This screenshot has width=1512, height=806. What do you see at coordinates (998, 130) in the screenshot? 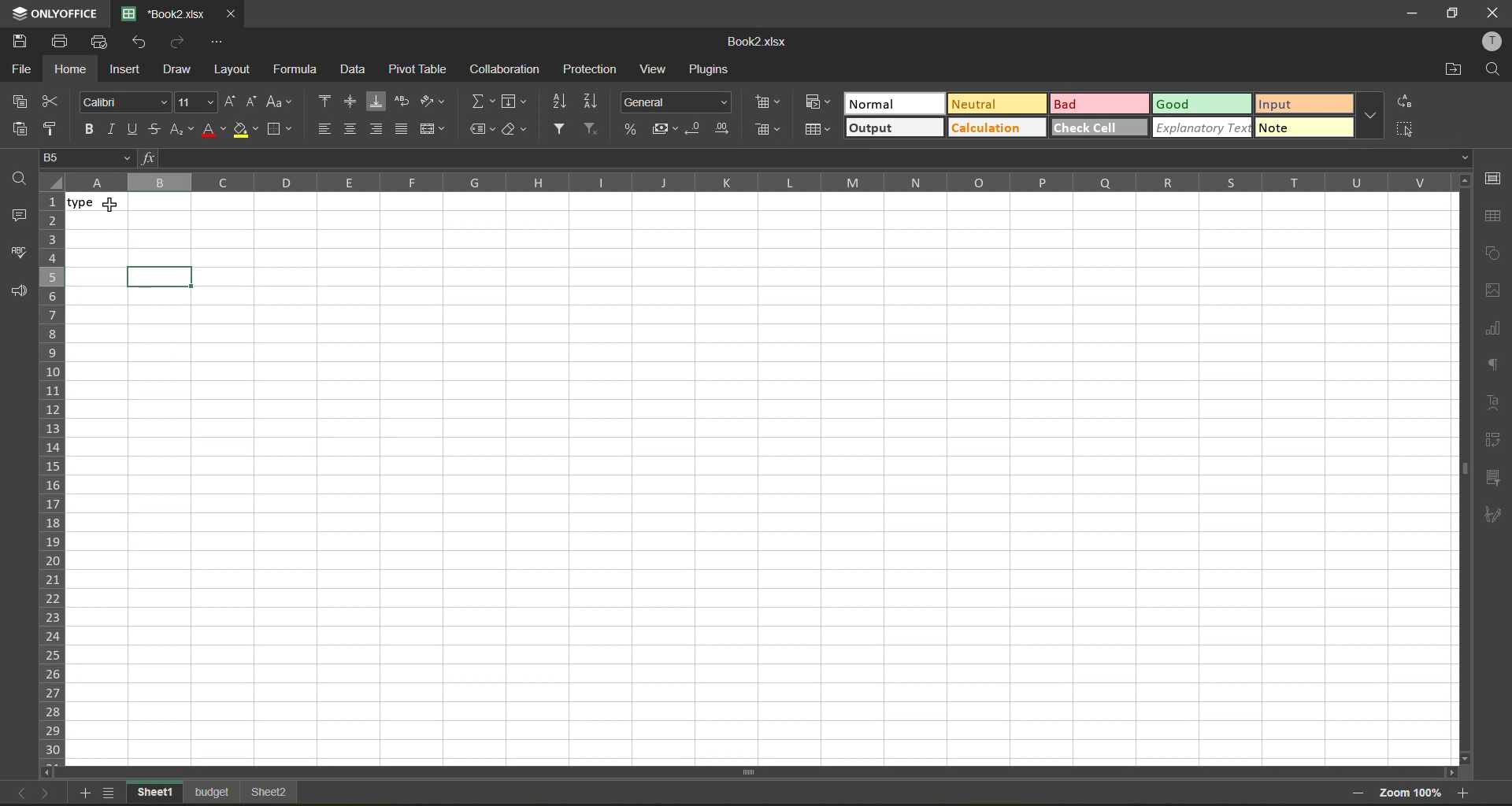
I see `calculation` at bounding box center [998, 130].